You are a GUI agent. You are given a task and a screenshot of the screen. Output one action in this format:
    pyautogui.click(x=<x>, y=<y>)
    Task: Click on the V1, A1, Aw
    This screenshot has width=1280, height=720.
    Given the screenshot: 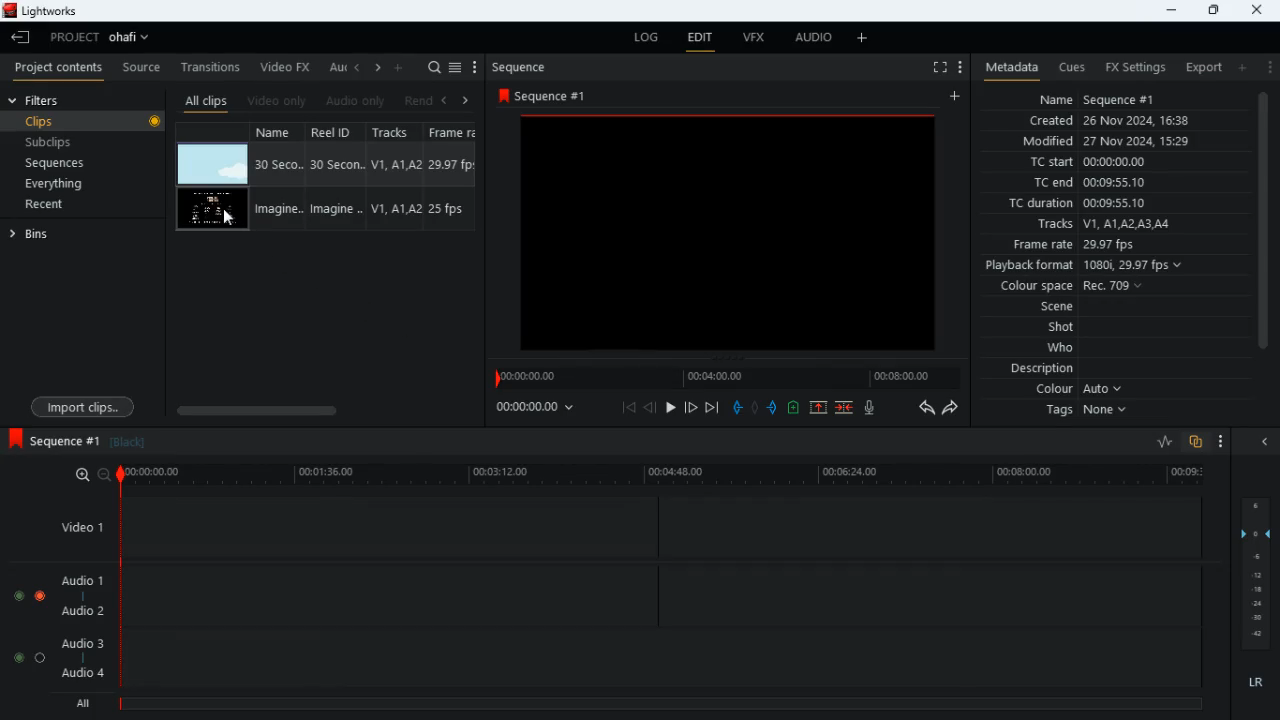 What is the action you would take?
    pyautogui.click(x=395, y=210)
    